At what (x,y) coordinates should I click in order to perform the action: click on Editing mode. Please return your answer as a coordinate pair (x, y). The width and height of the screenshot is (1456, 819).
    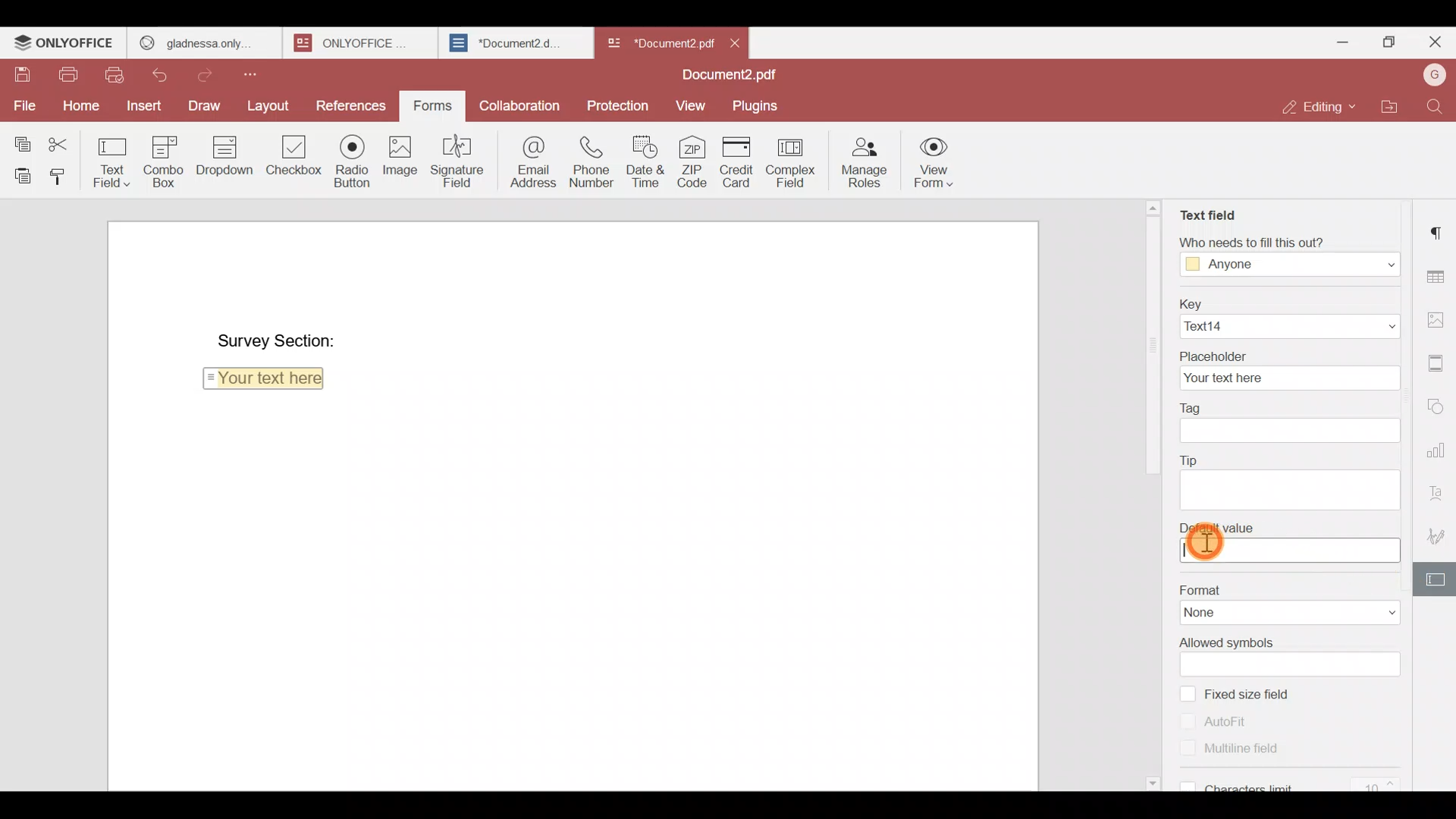
    Looking at the image, I should click on (1321, 102).